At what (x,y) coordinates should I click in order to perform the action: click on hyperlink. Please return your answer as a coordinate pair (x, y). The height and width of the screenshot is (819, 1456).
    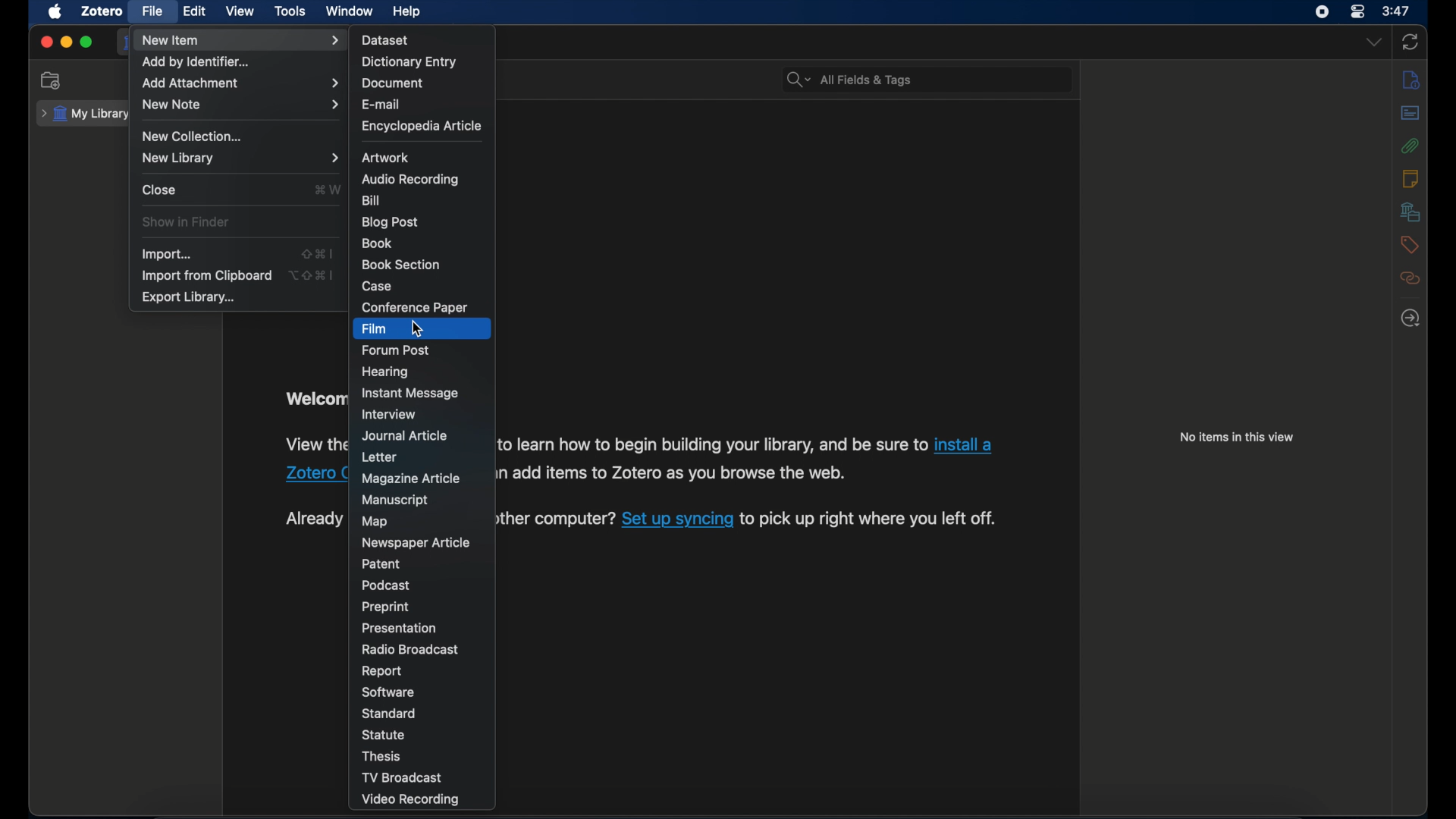
    Looking at the image, I should click on (676, 519).